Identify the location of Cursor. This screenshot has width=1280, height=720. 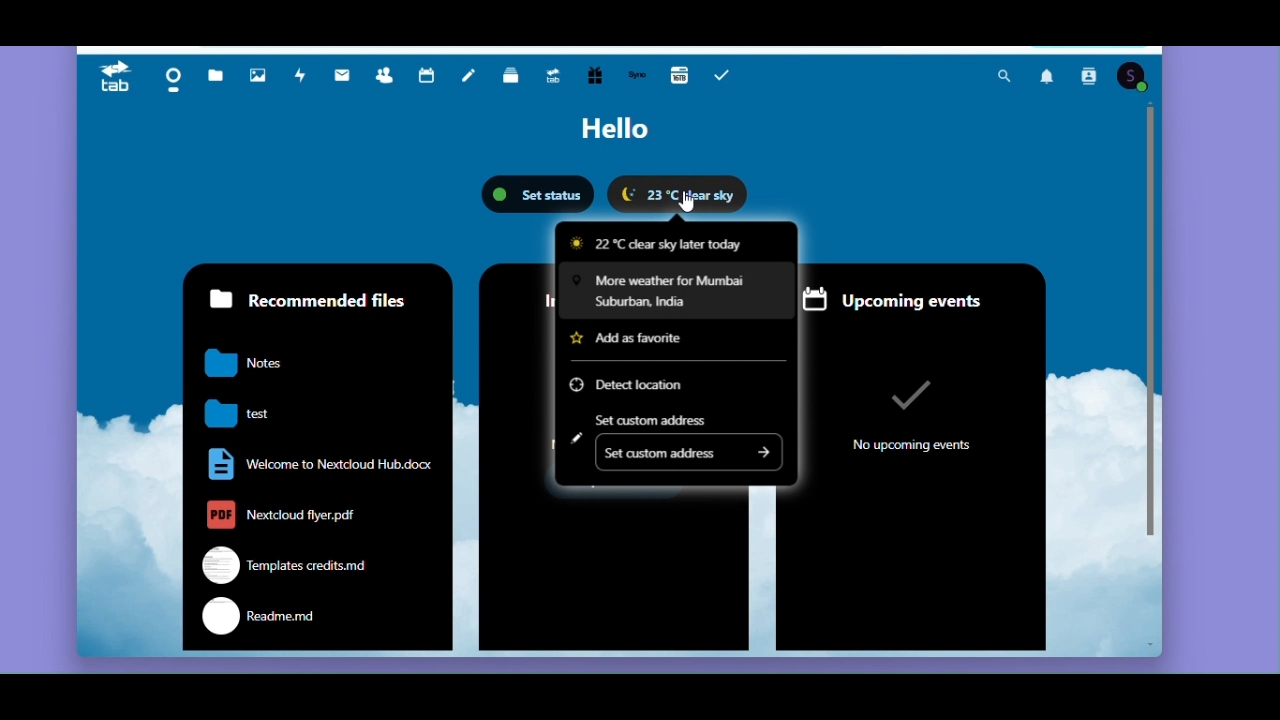
(690, 203).